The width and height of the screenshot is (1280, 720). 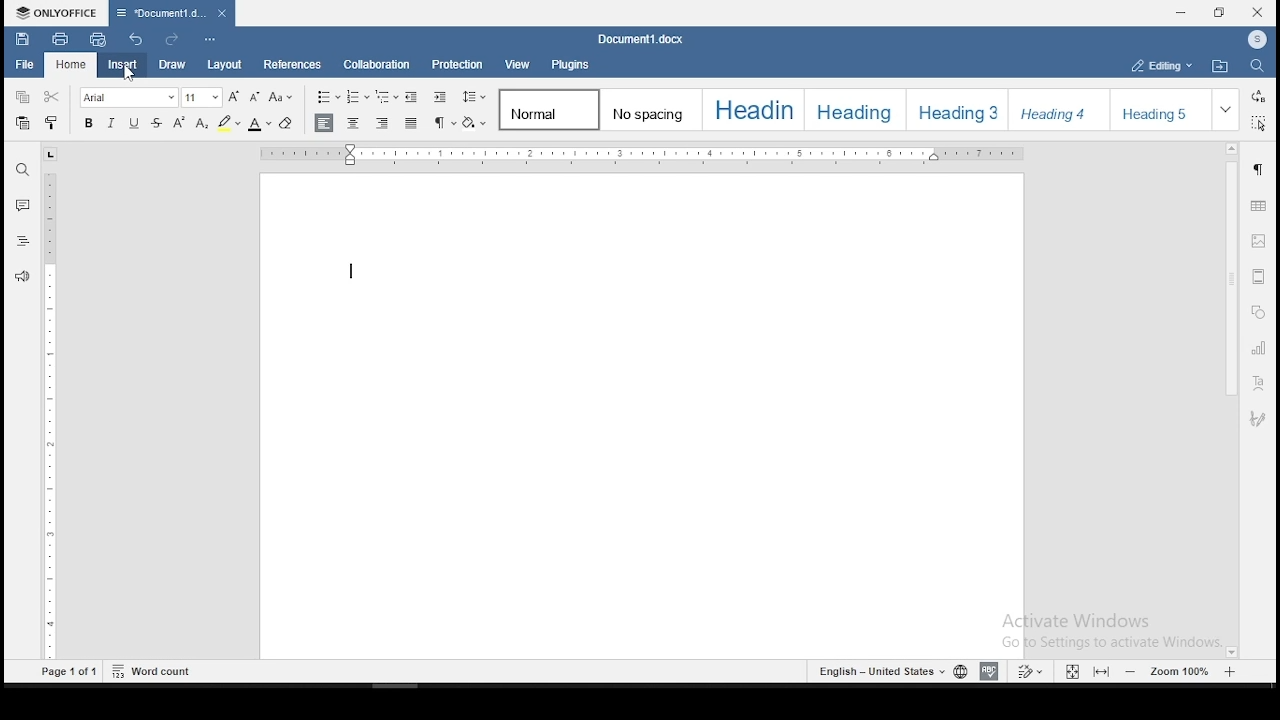 What do you see at coordinates (155, 122) in the screenshot?
I see `strikethorough` at bounding box center [155, 122].